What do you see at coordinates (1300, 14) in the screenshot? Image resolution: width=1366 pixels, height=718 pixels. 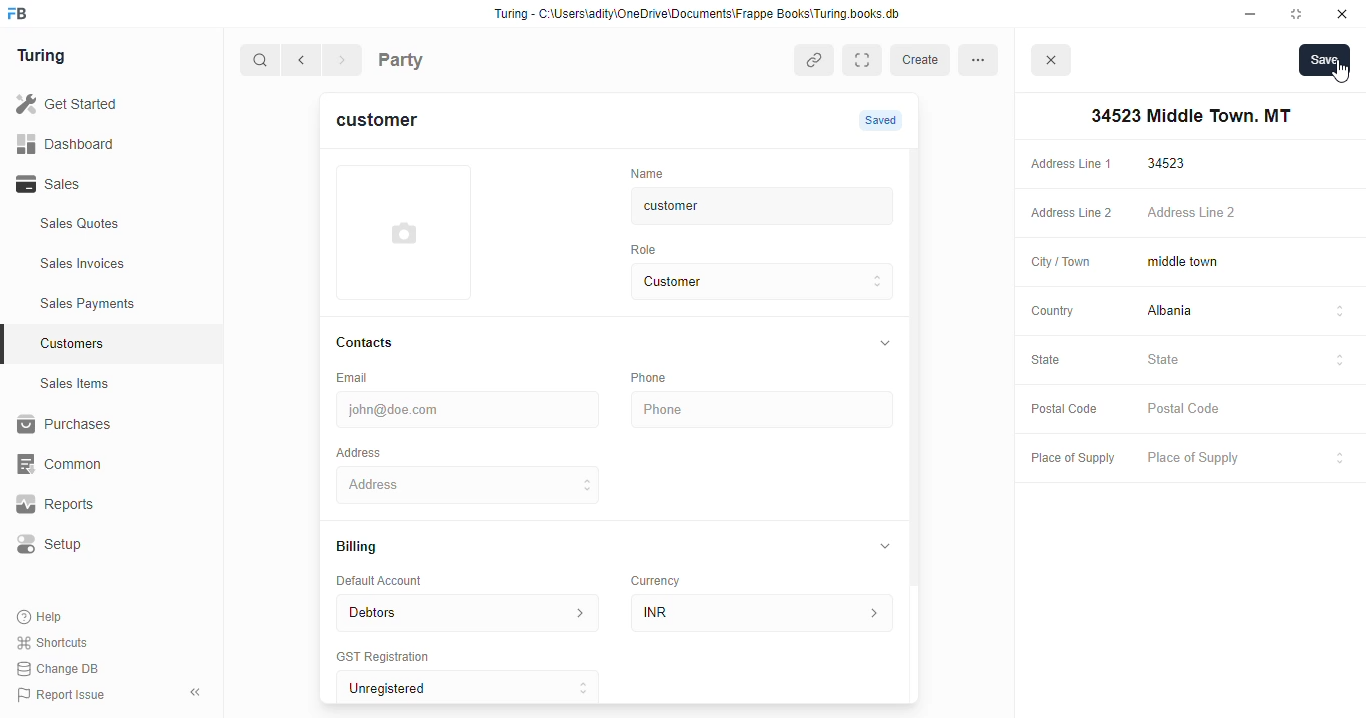 I see `maximise` at bounding box center [1300, 14].